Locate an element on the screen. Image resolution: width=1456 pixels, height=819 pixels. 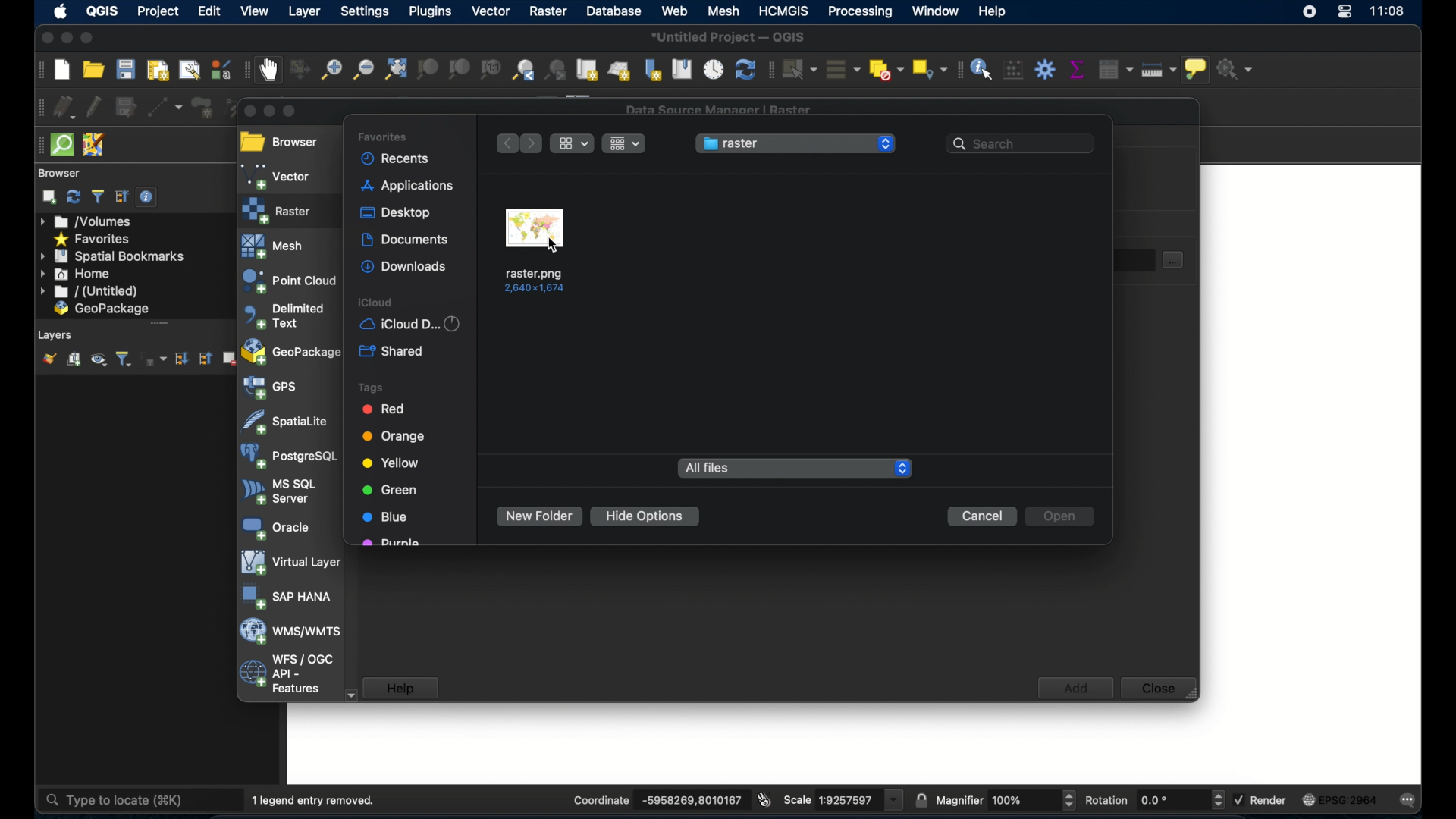
raster is located at coordinates (548, 12).